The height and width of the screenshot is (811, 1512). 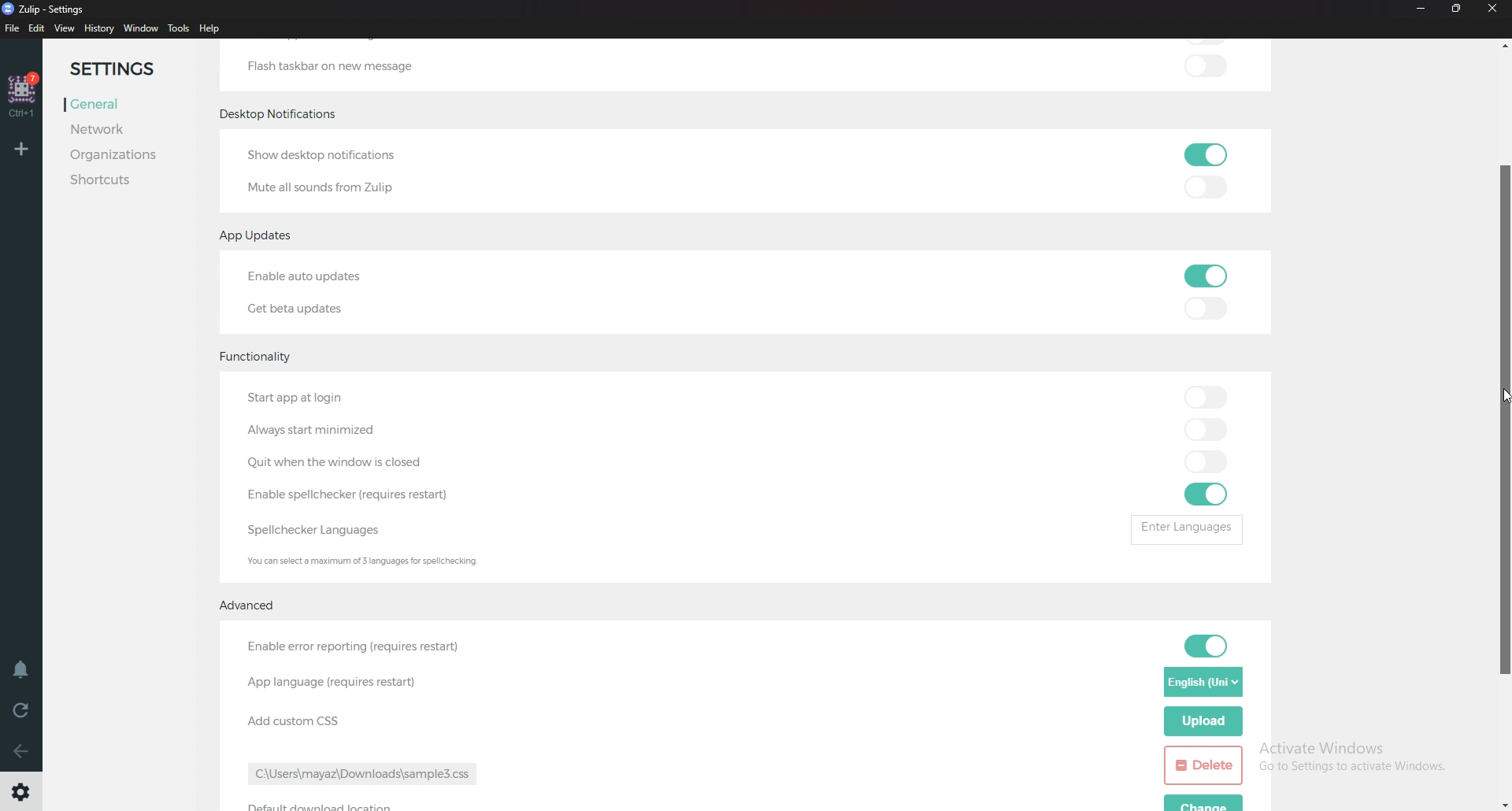 What do you see at coordinates (252, 603) in the screenshot?
I see `Advanced` at bounding box center [252, 603].